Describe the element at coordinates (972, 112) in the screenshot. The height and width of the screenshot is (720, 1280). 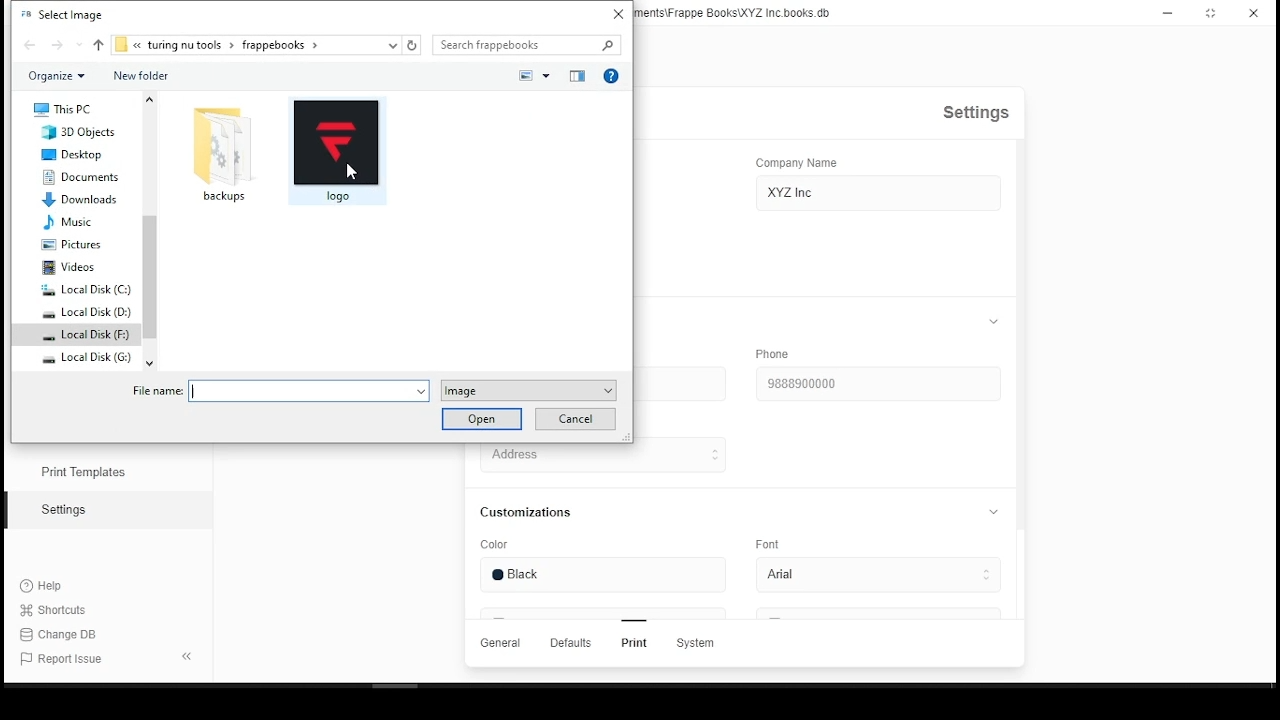
I see `Settings` at that location.